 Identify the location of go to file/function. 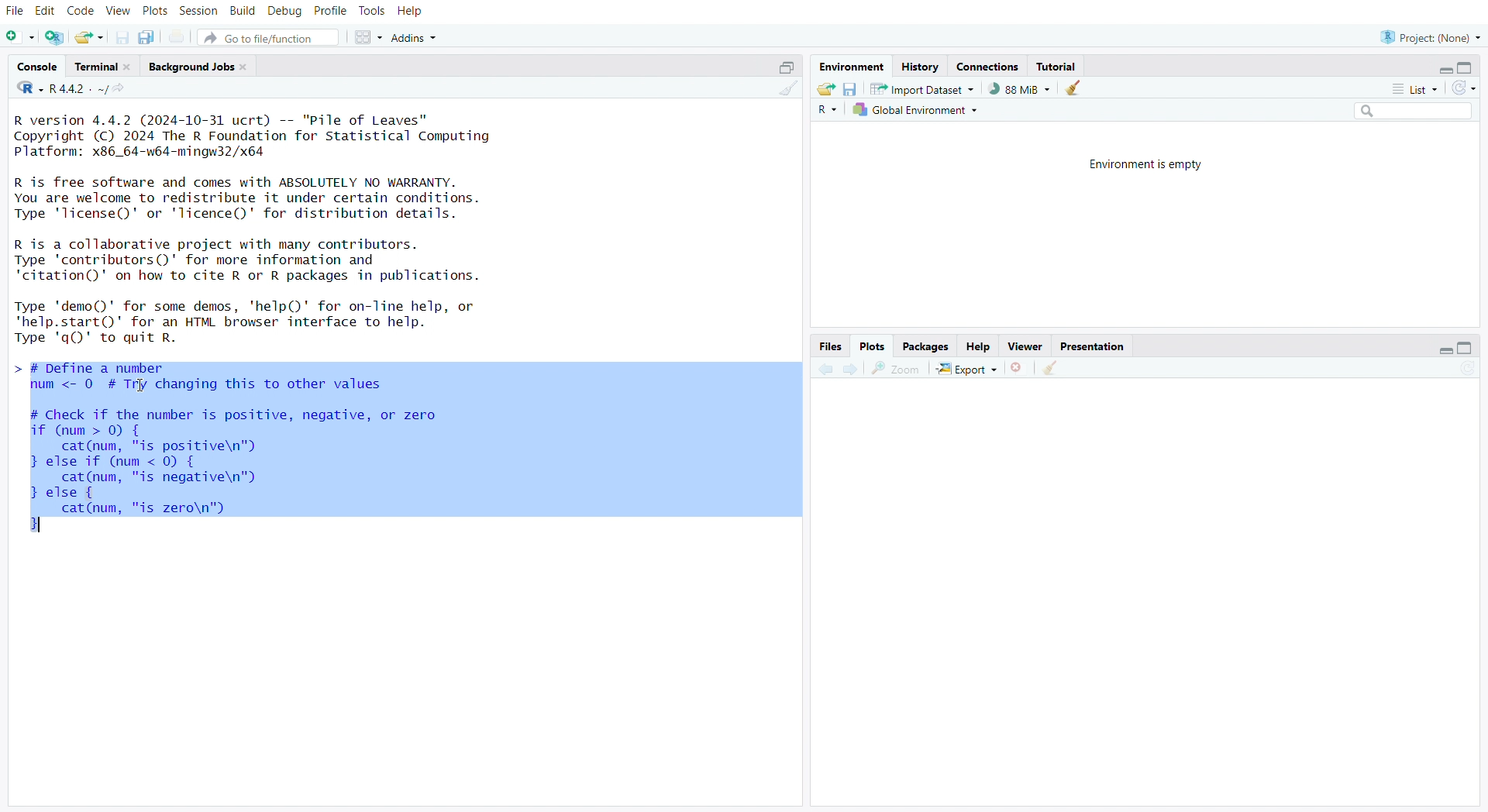
(272, 40).